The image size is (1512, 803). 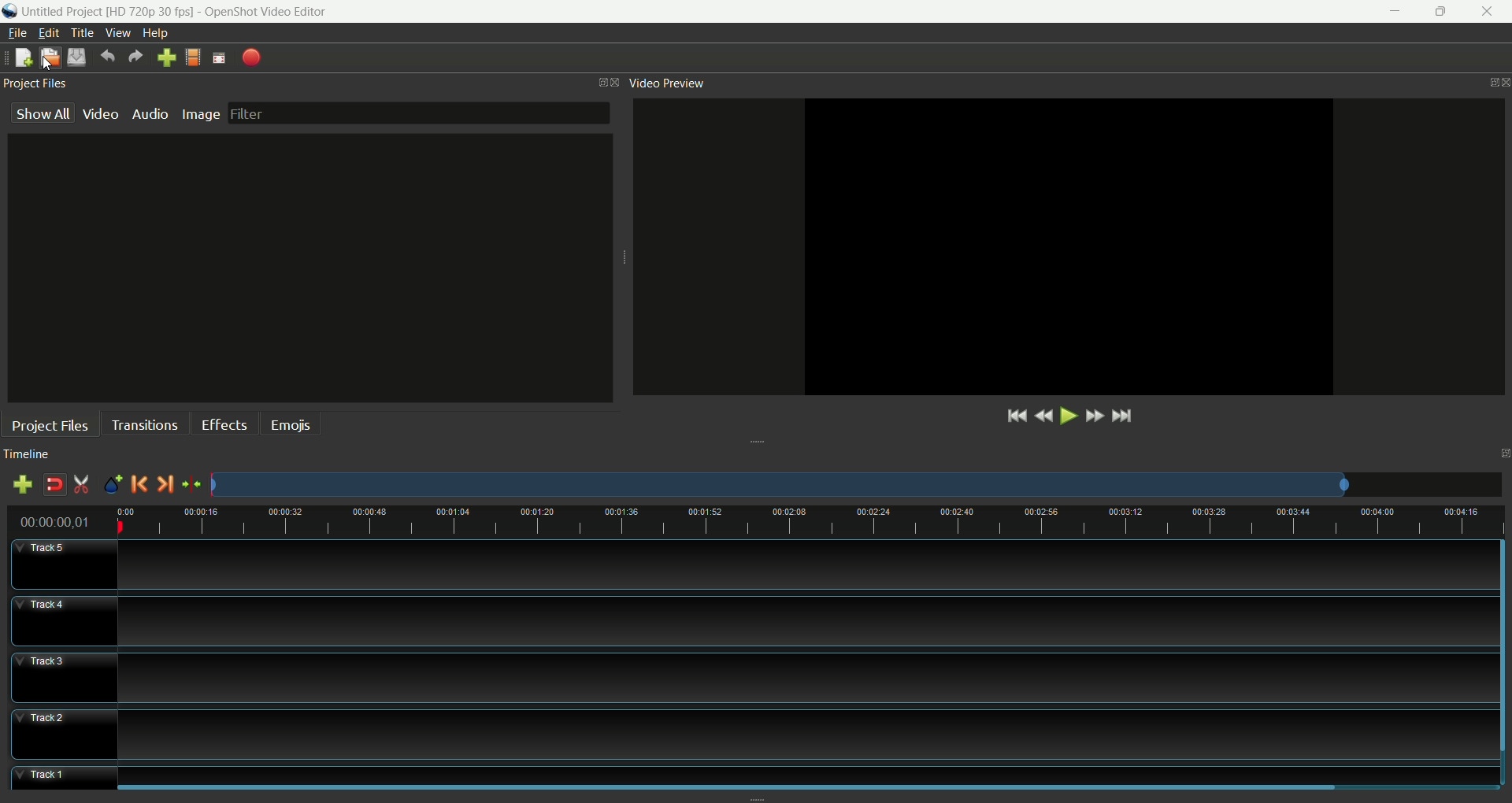 I want to click on rewind, so click(x=1045, y=417).